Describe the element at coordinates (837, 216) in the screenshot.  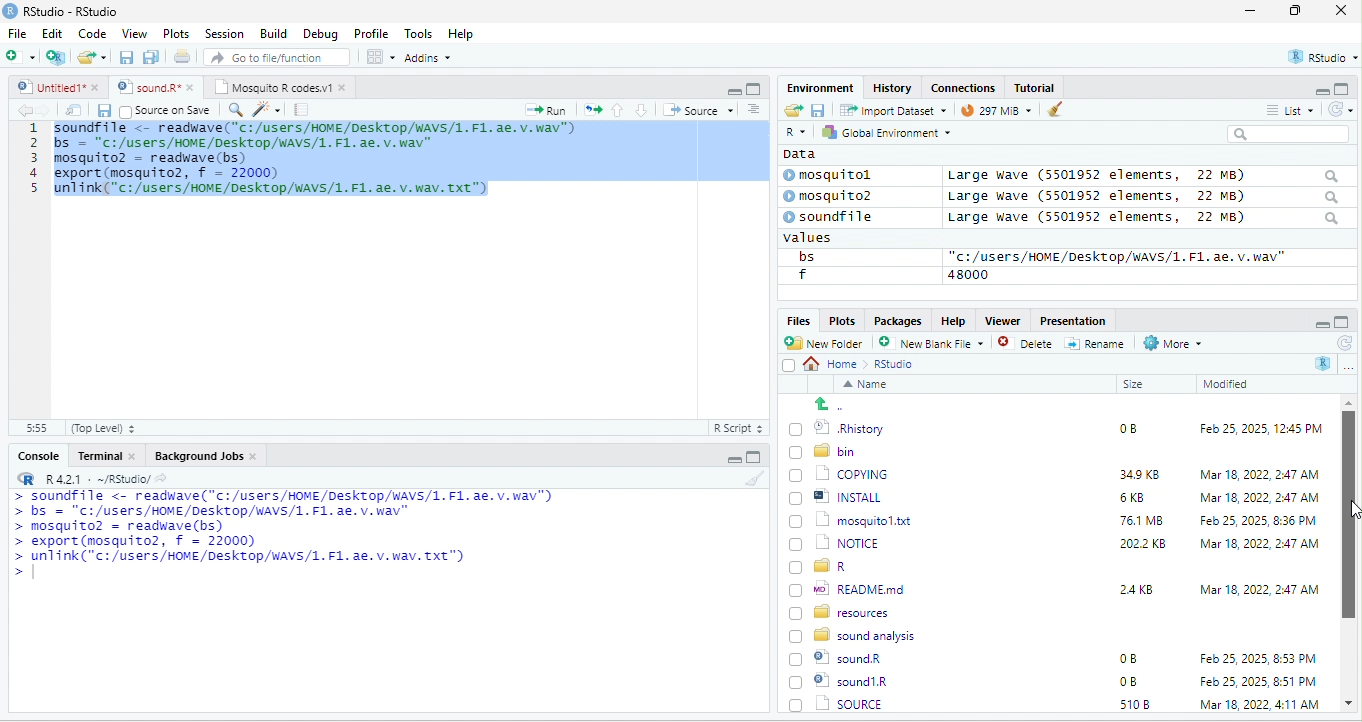
I see `© soundfile` at that location.